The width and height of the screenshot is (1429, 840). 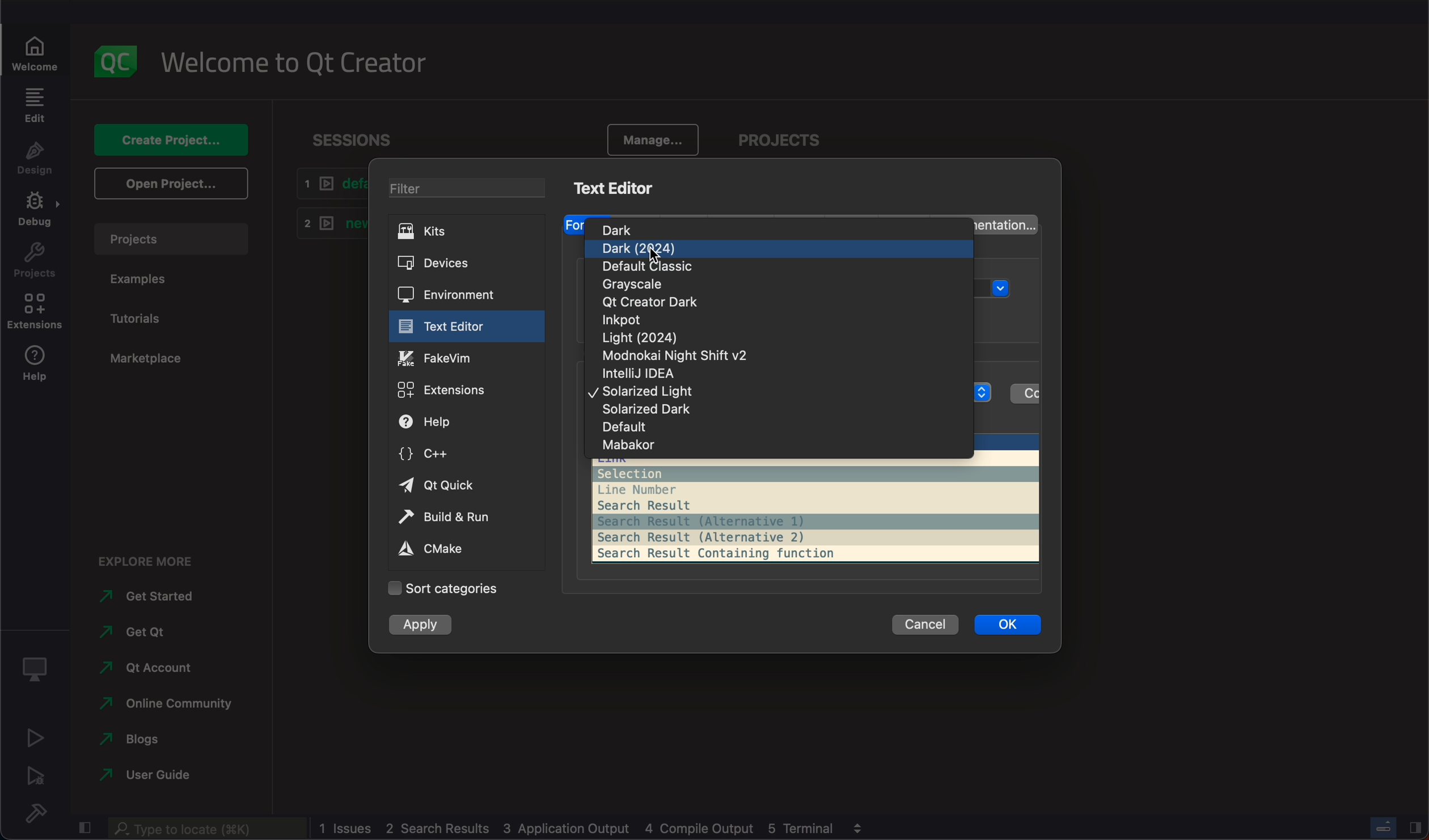 What do you see at coordinates (663, 264) in the screenshot?
I see `cursor` at bounding box center [663, 264].